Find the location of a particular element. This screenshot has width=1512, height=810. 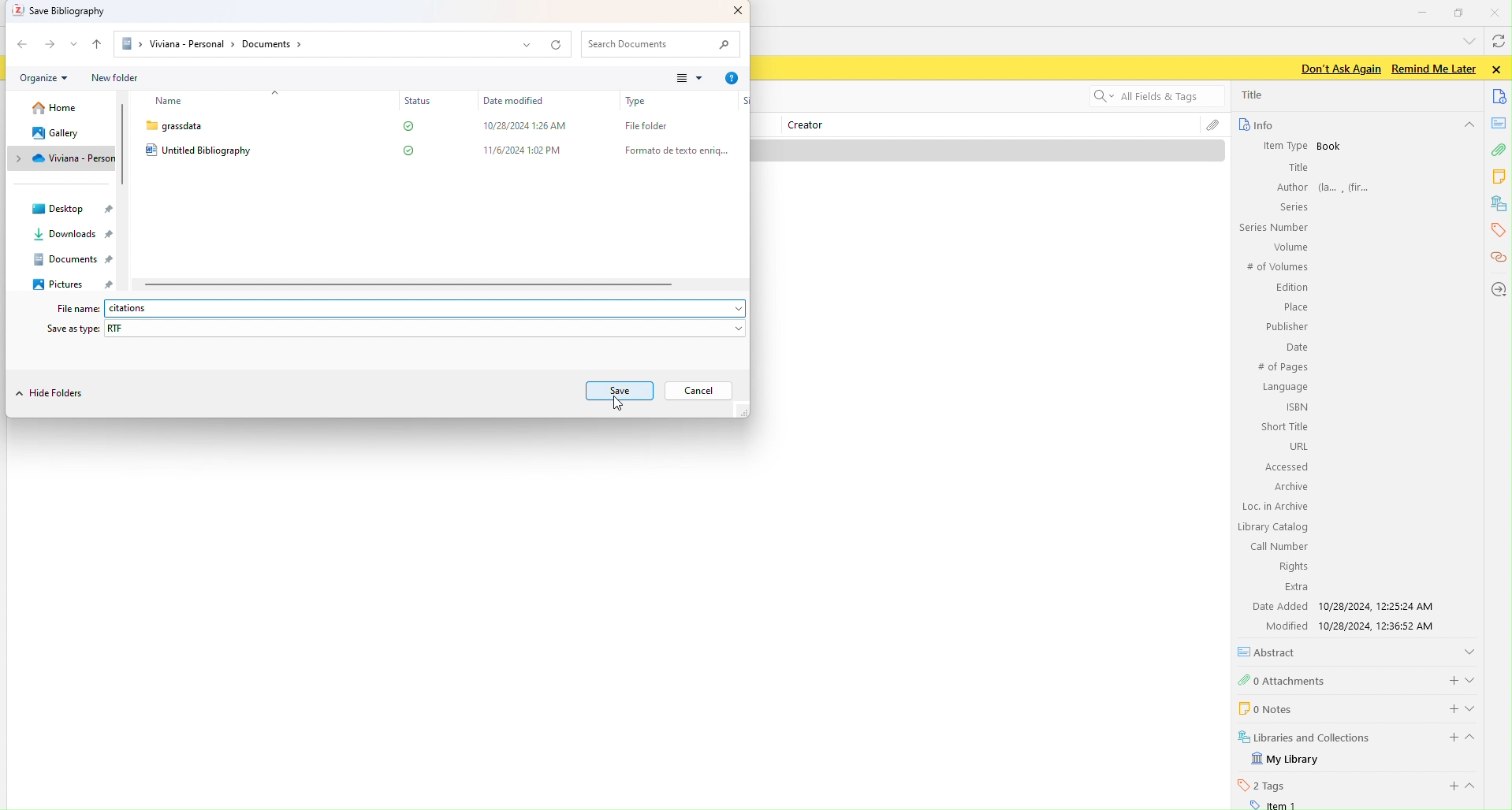

Item Type is located at coordinates (1278, 145).